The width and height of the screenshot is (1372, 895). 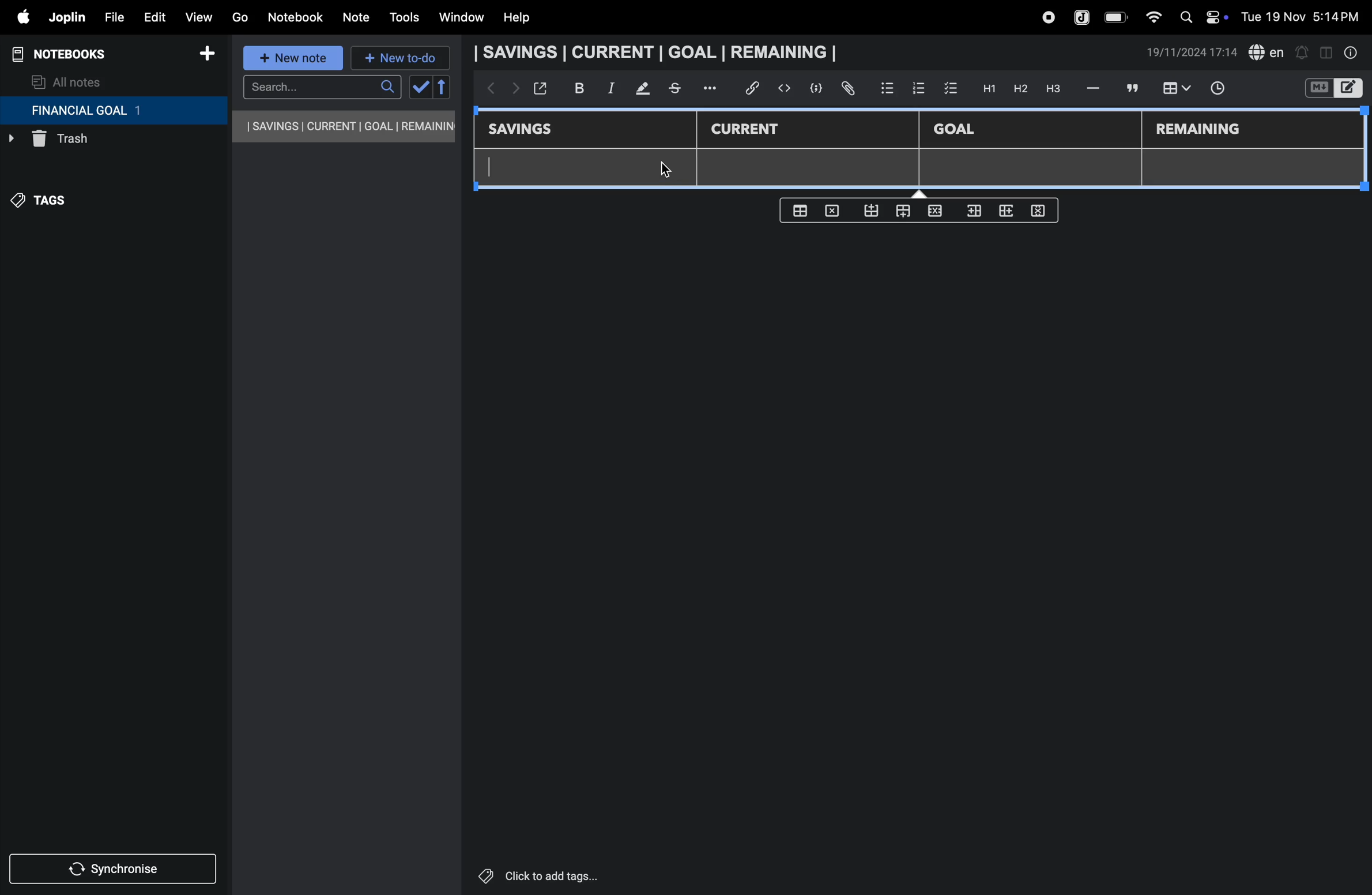 What do you see at coordinates (659, 52) in the screenshot?
I see `savings current goal remaining` at bounding box center [659, 52].